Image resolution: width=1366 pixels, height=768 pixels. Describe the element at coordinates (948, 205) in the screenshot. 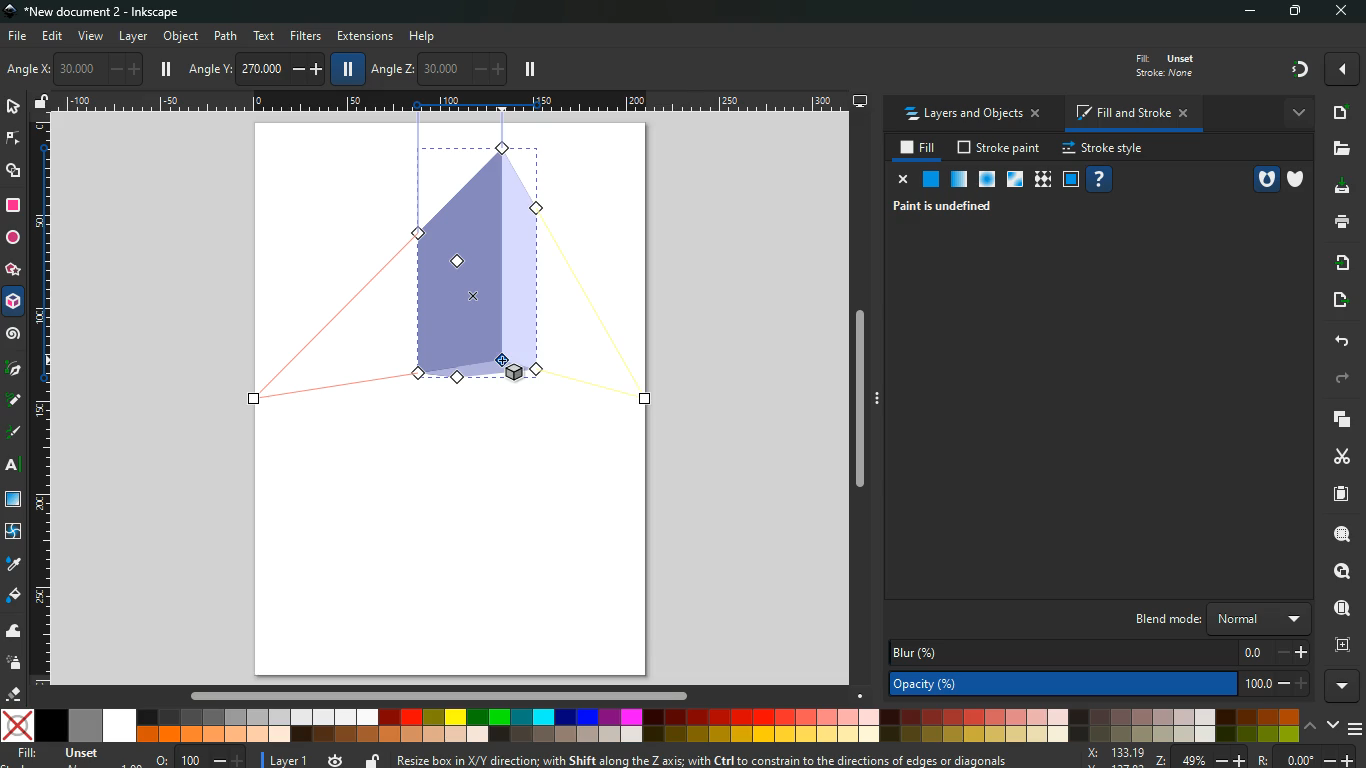

I see `Paint is undefined` at that location.